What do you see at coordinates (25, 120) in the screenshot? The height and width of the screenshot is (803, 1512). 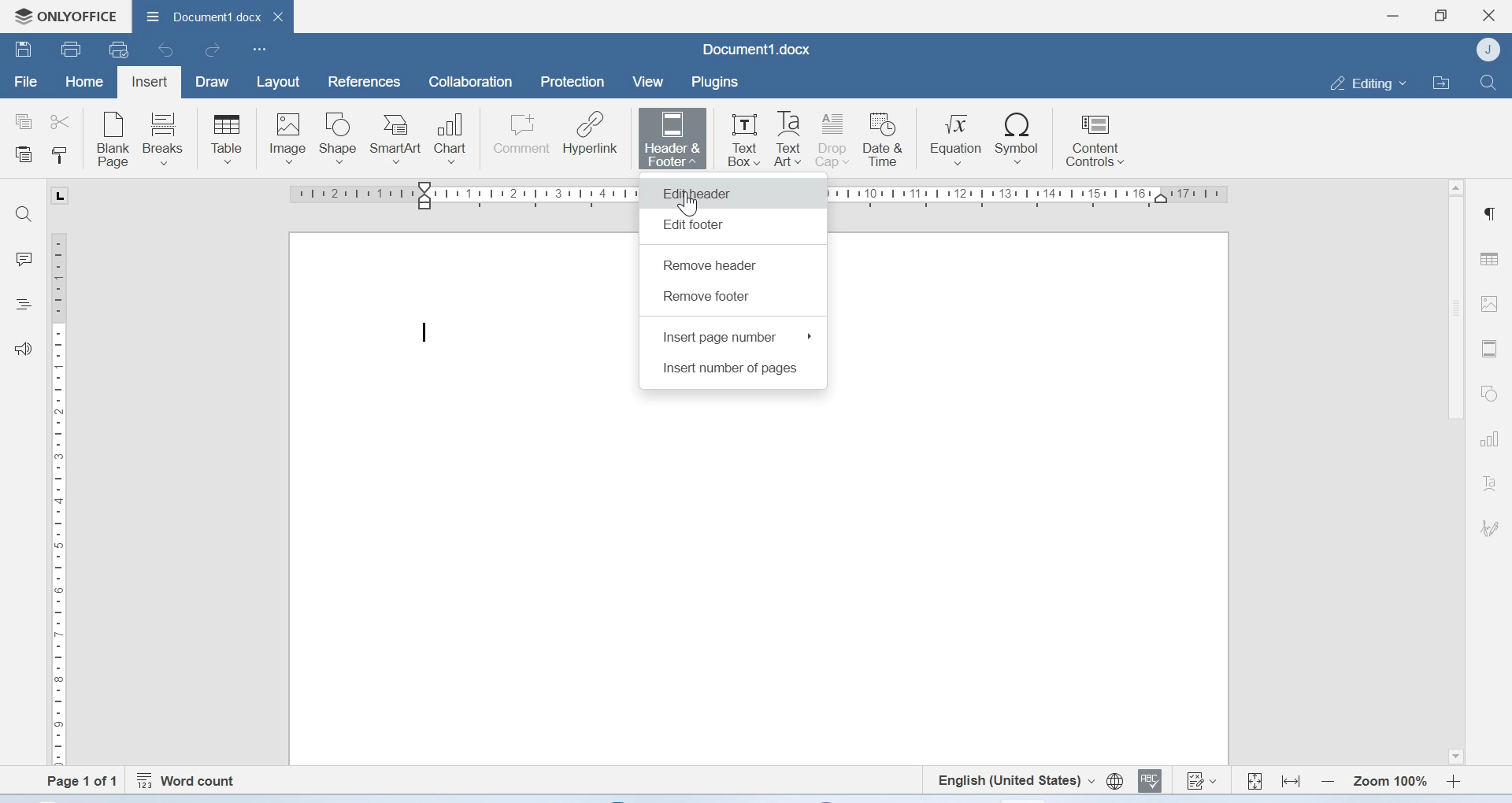 I see `copy` at bounding box center [25, 120].